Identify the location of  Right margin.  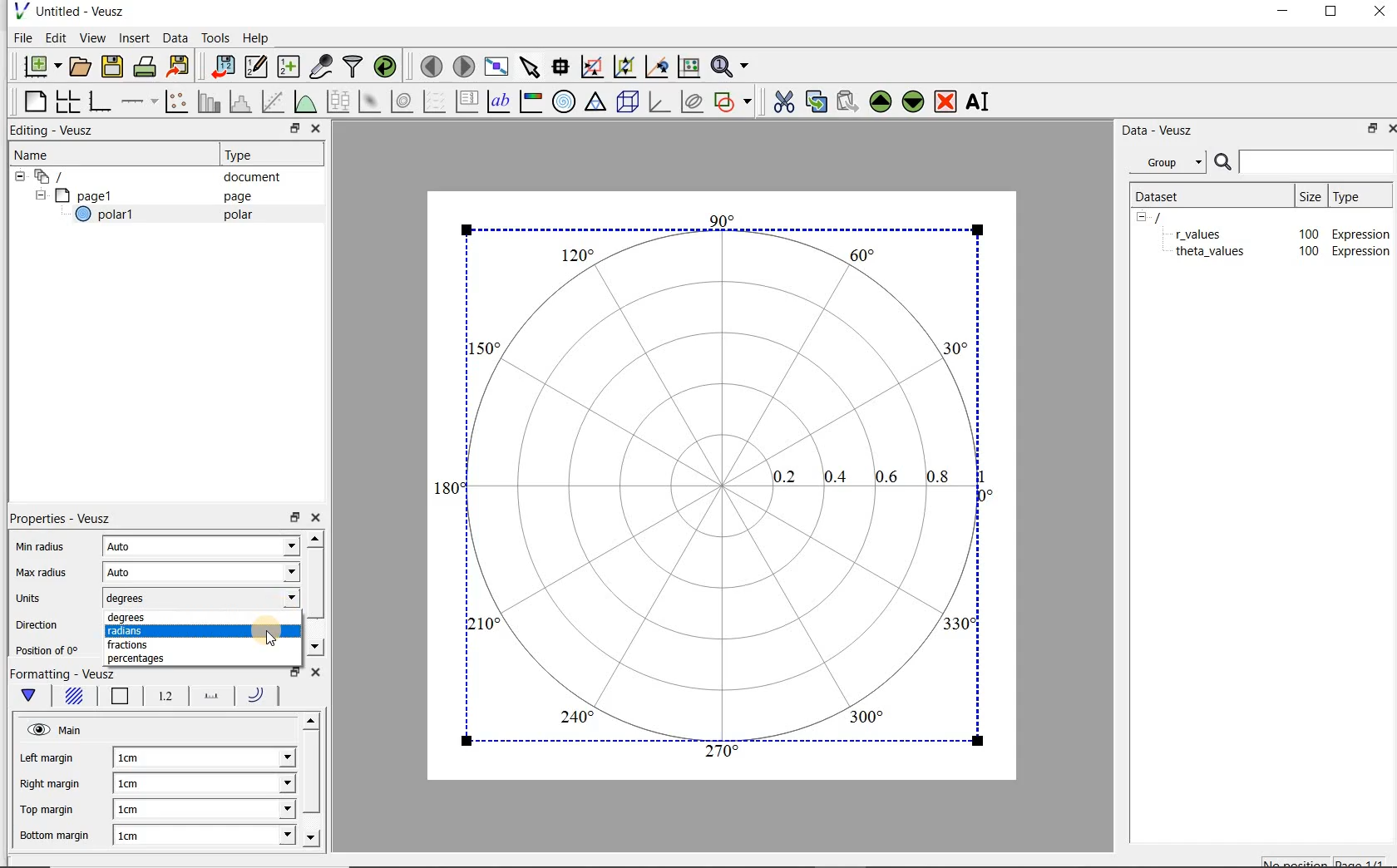
(52, 783).